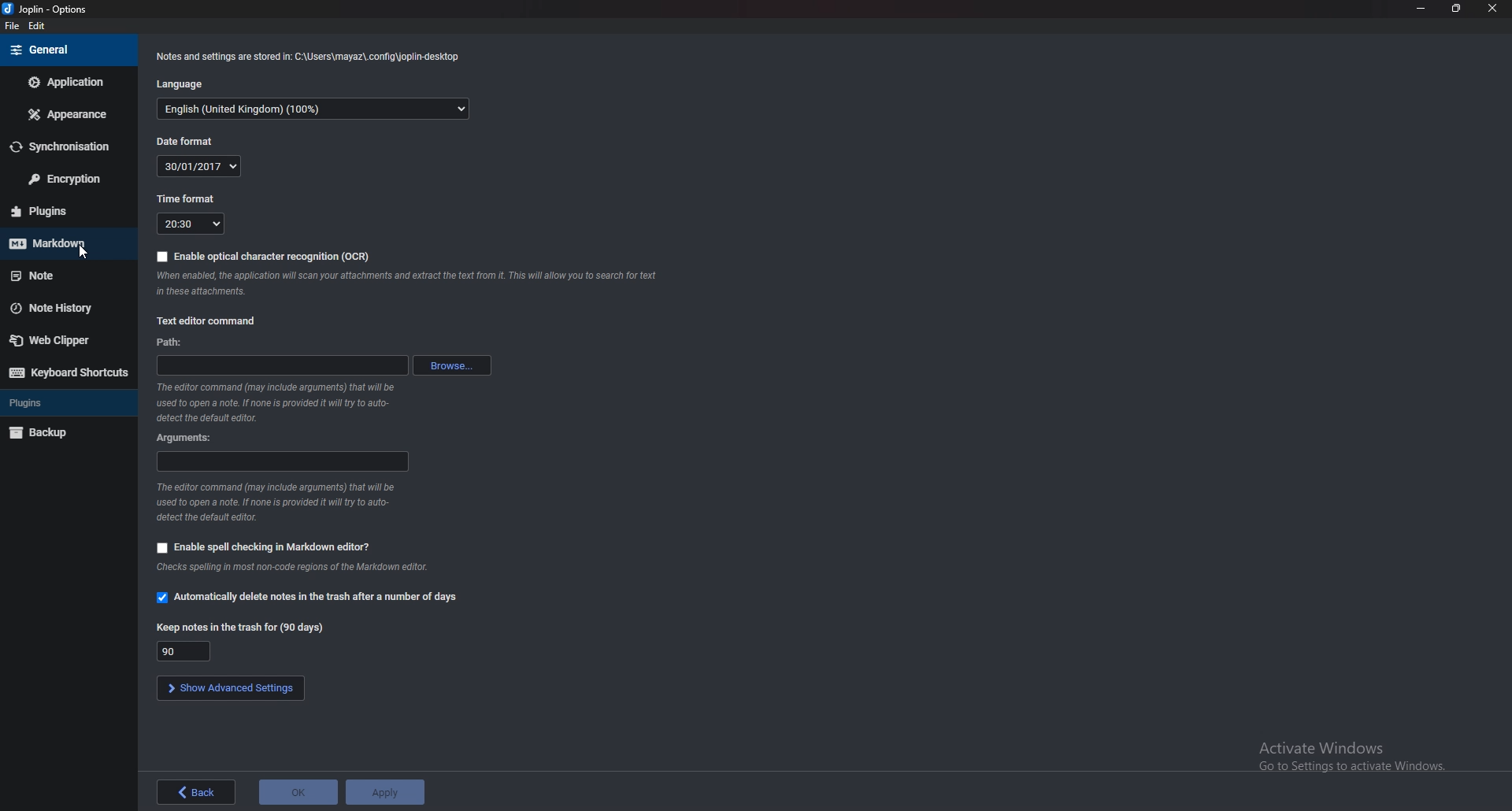  What do you see at coordinates (292, 568) in the screenshot?
I see `check spellings in most non-code regions of the markdown editor.` at bounding box center [292, 568].